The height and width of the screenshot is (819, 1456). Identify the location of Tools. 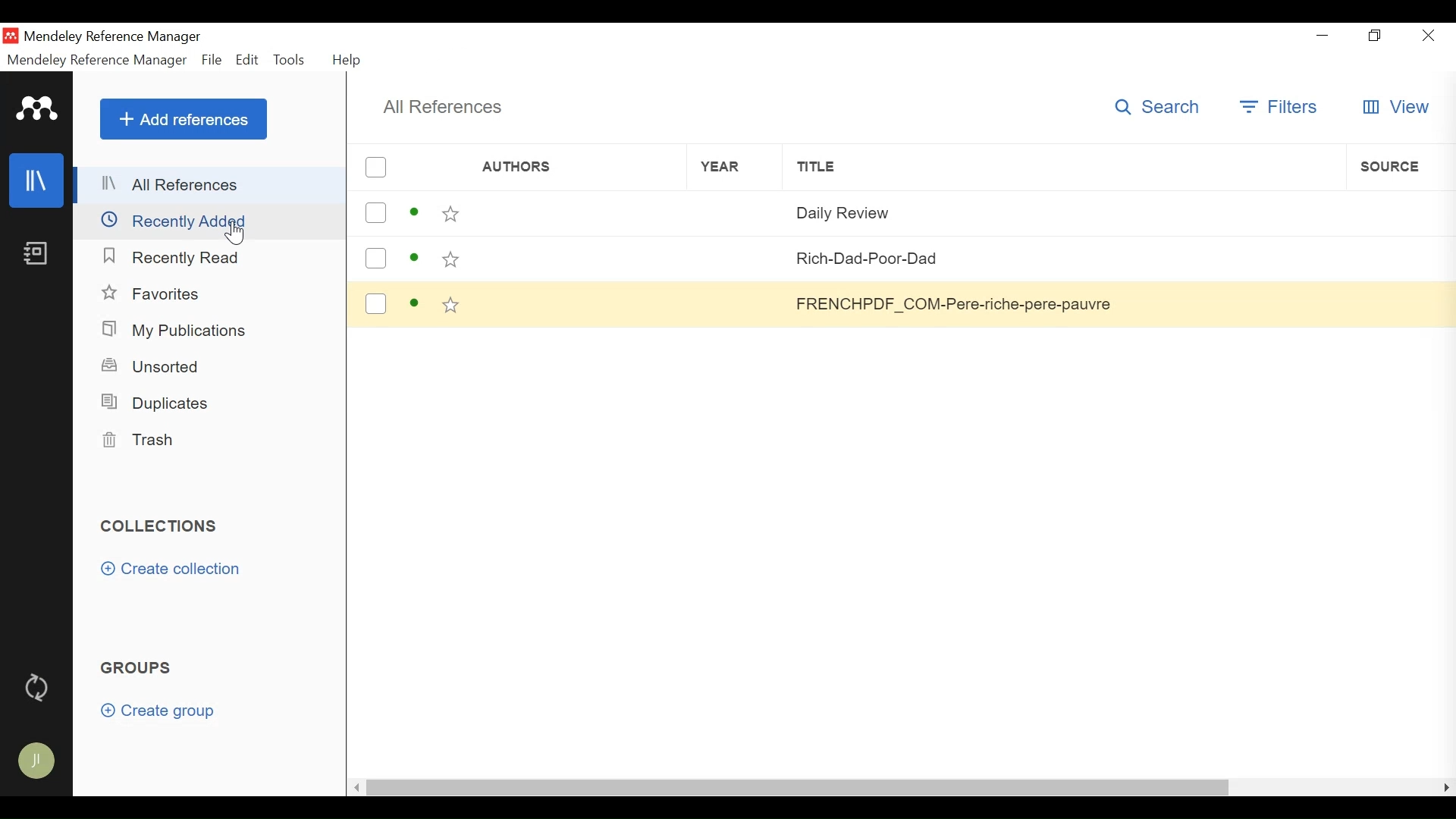
(290, 60).